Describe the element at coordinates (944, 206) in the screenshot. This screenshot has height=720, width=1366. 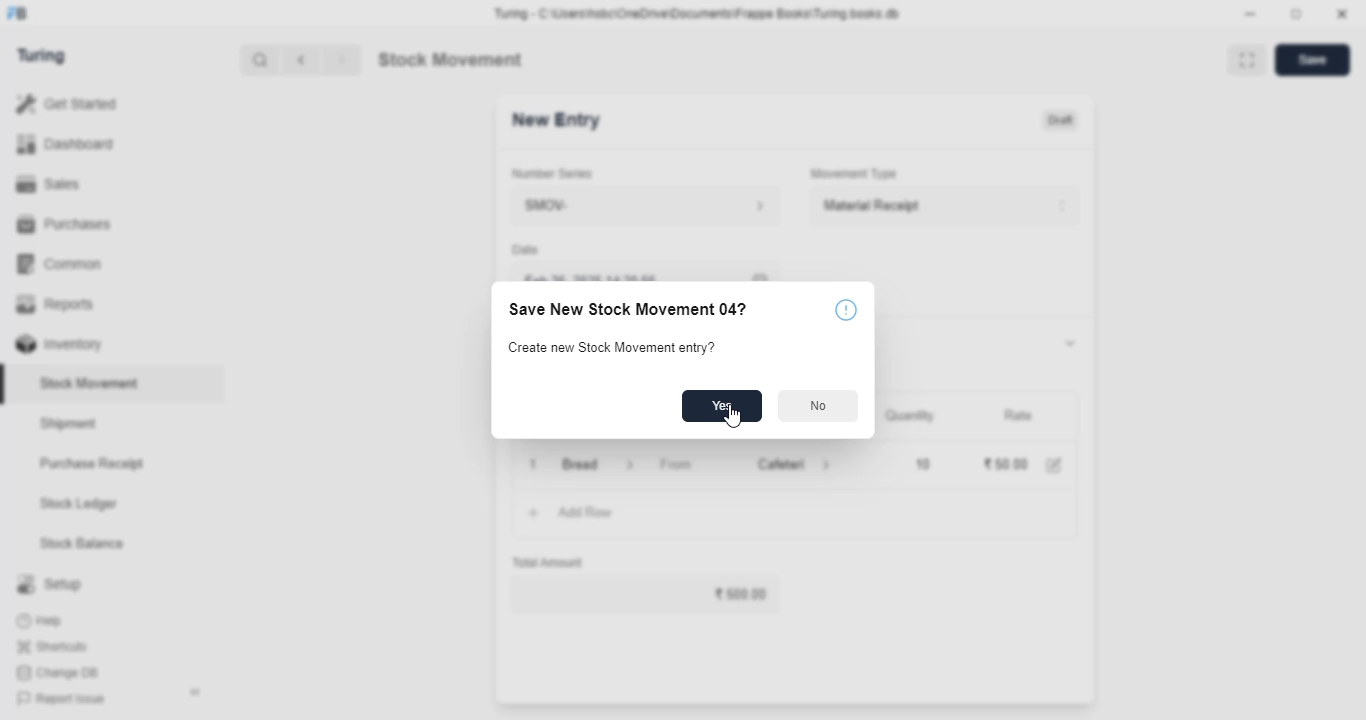
I see `material receipt` at that location.